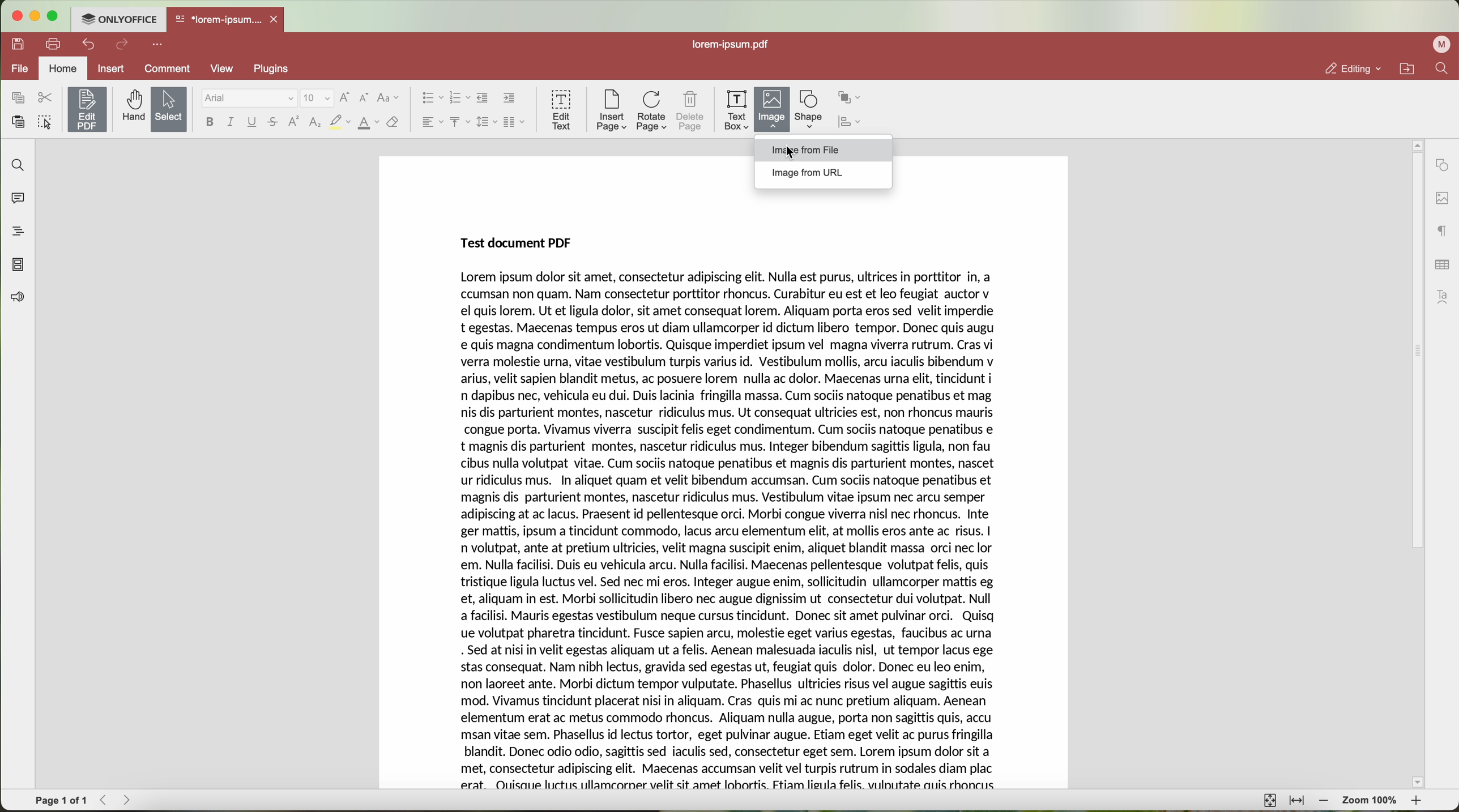 The width and height of the screenshot is (1459, 812). What do you see at coordinates (1296, 801) in the screenshot?
I see `fit to width` at bounding box center [1296, 801].